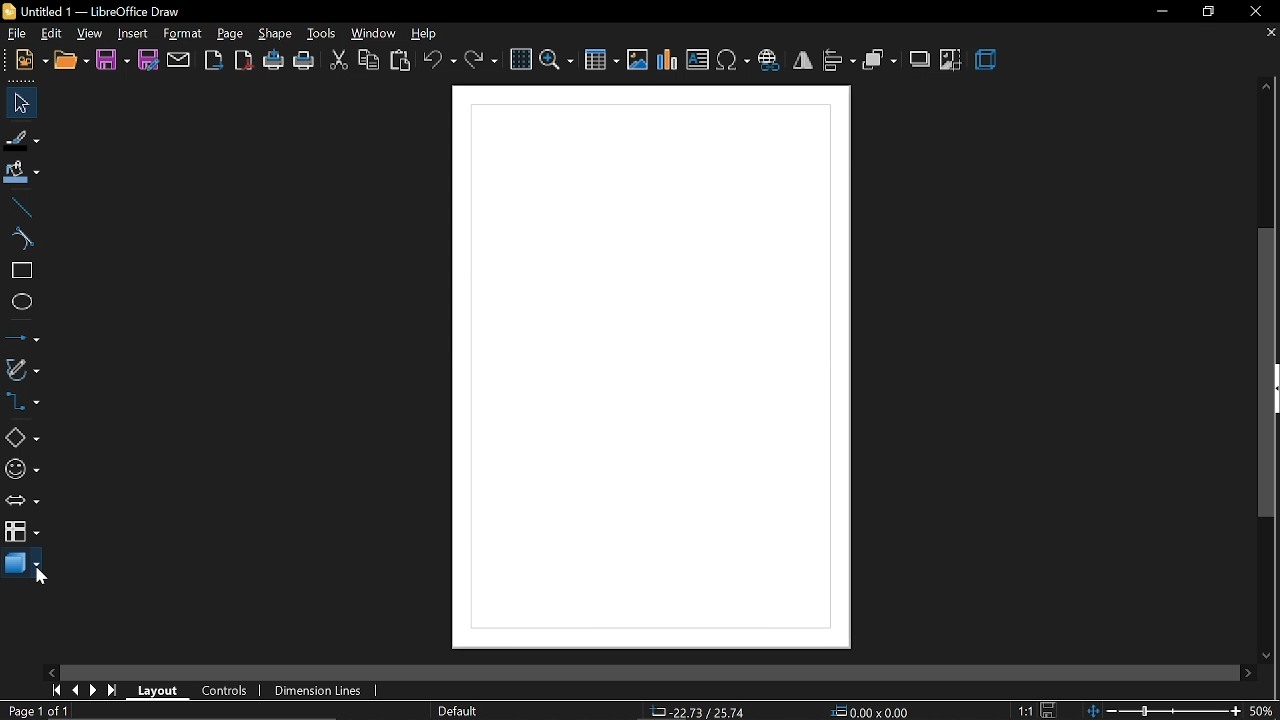  Describe the element at coordinates (304, 63) in the screenshot. I see `print` at that location.